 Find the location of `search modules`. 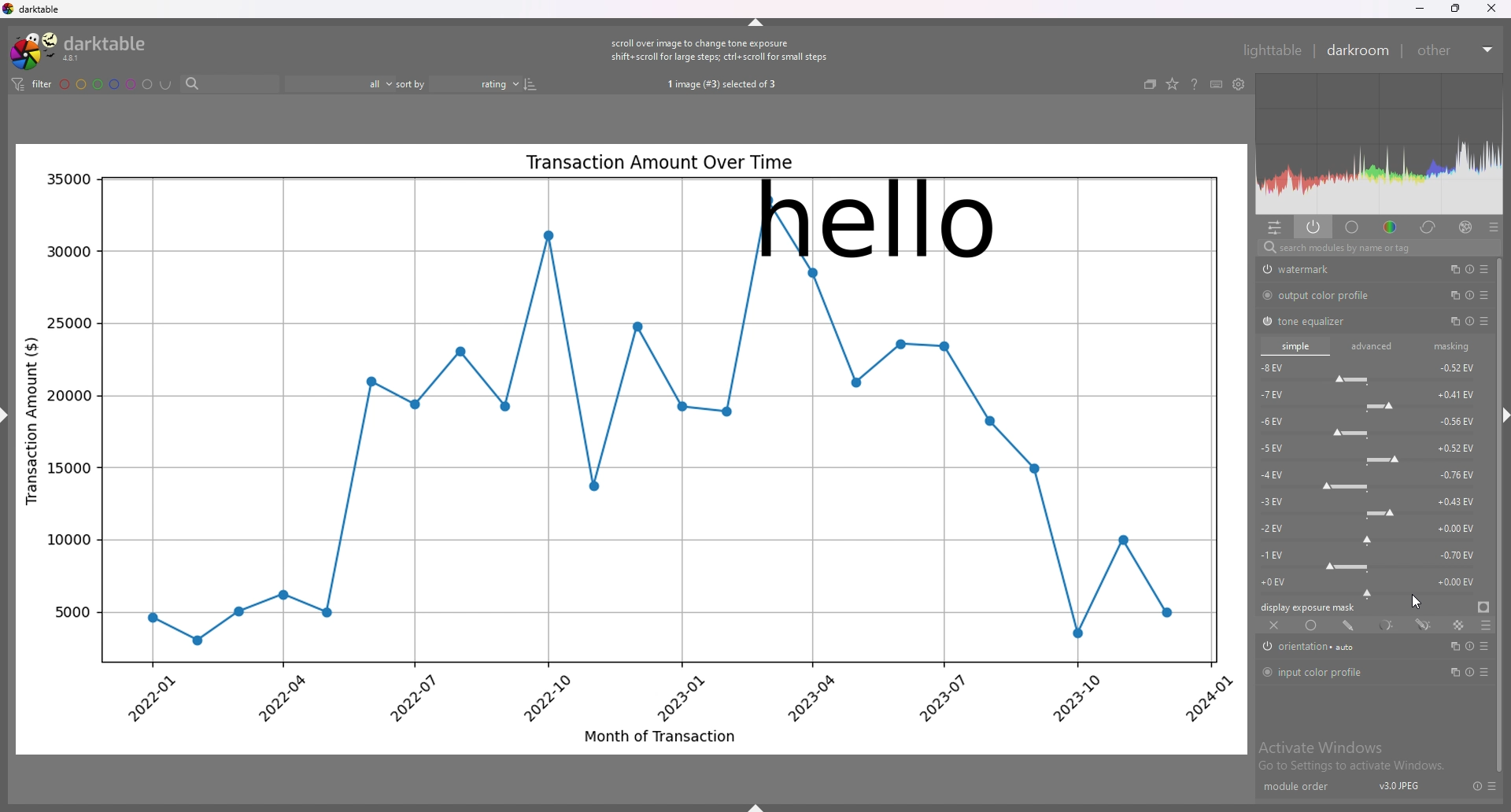

search modules is located at coordinates (1377, 248).